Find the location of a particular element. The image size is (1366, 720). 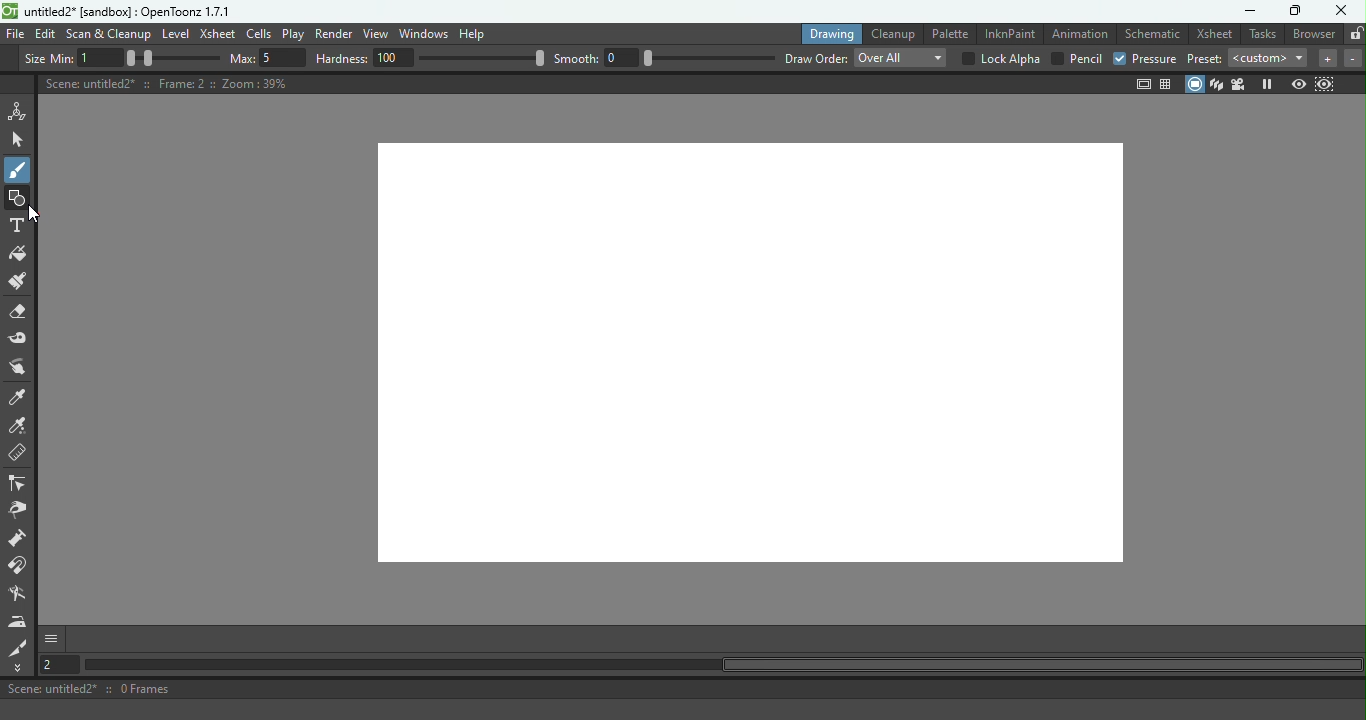

Paint Brush tool is located at coordinates (24, 283).